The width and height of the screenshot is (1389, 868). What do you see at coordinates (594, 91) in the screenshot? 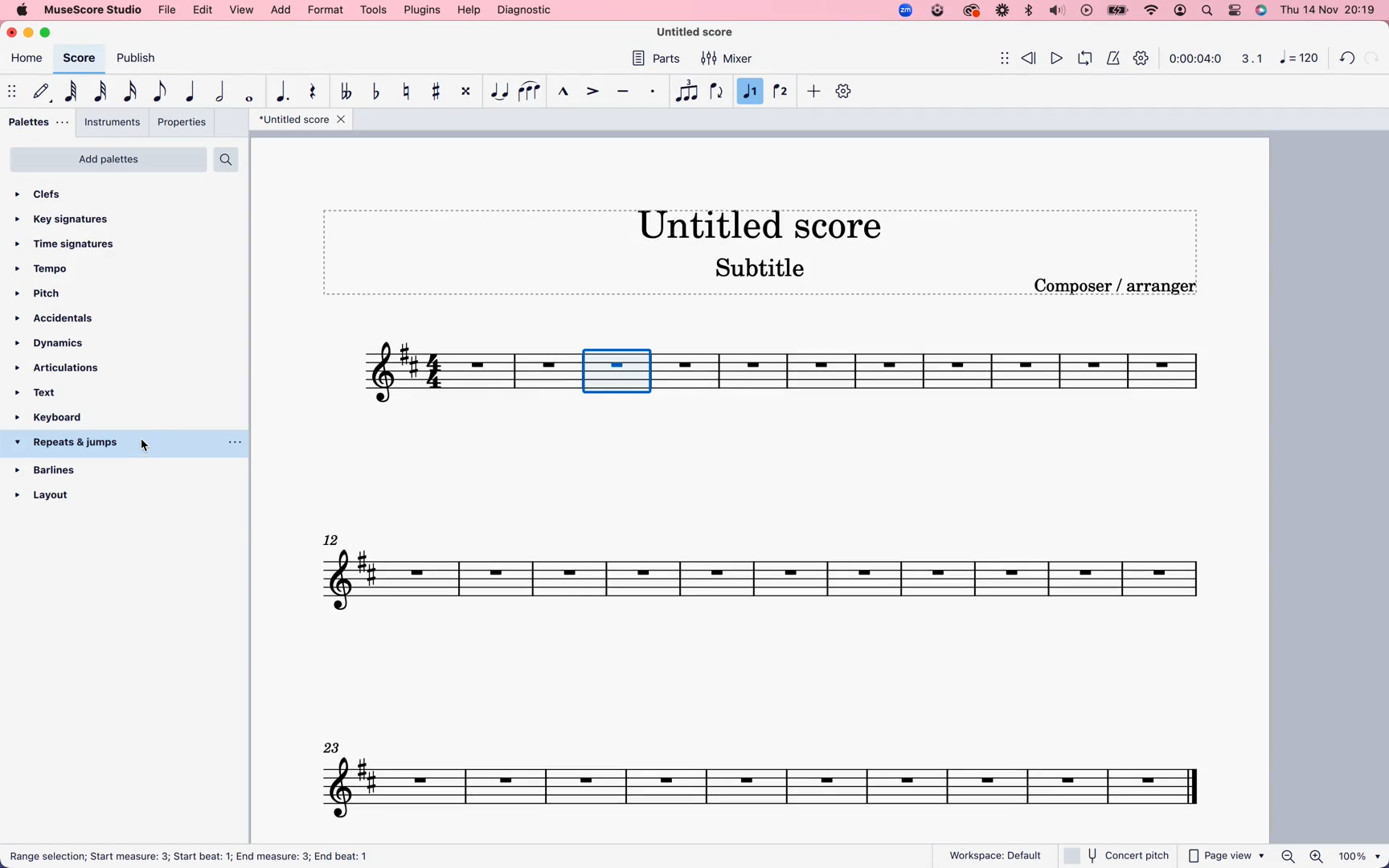
I see `accent` at bounding box center [594, 91].